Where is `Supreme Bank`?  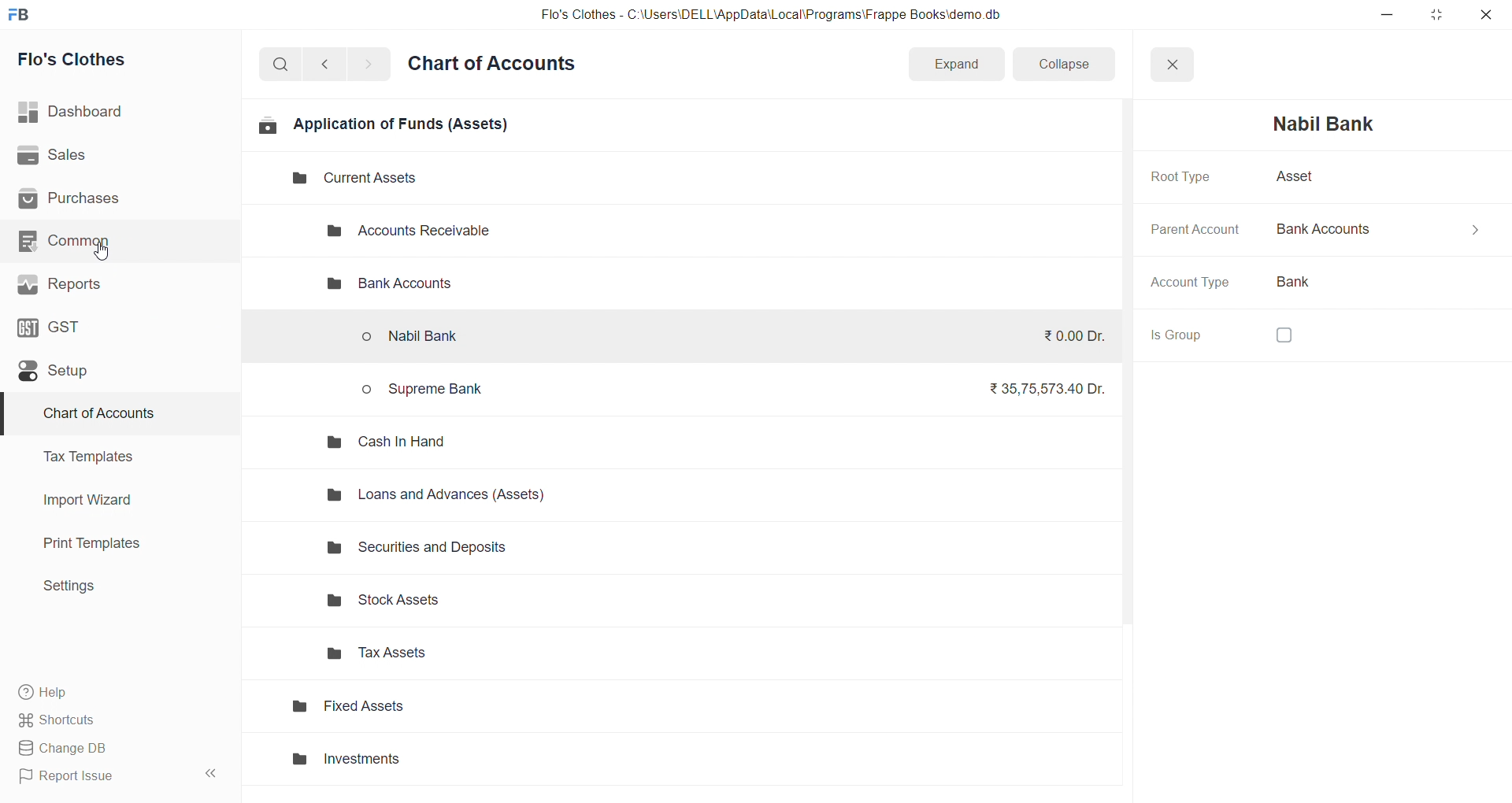
Supreme Bank is located at coordinates (428, 388).